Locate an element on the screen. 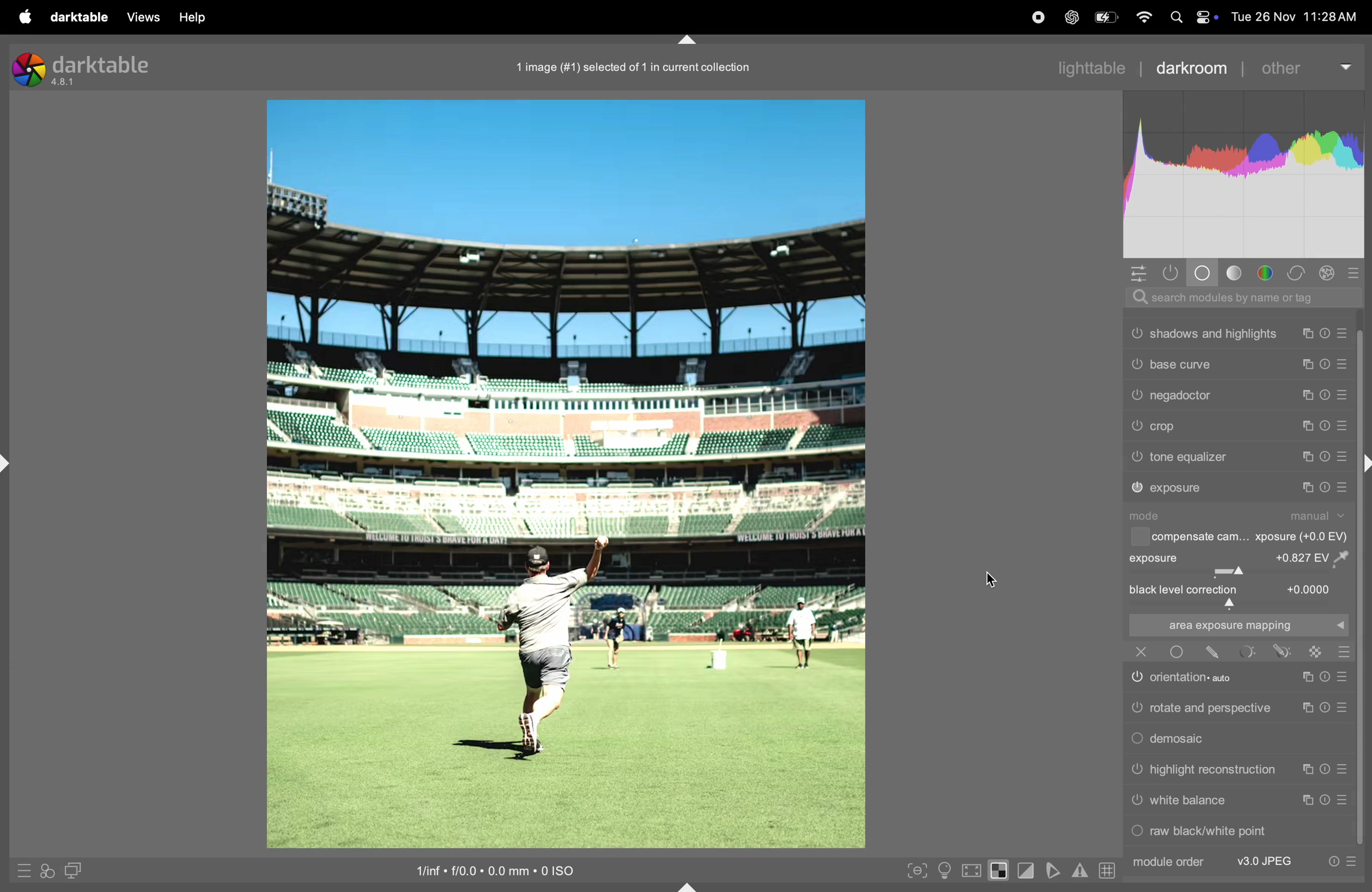 This screenshot has width=1372, height=892. slider is located at coordinates (1238, 572).